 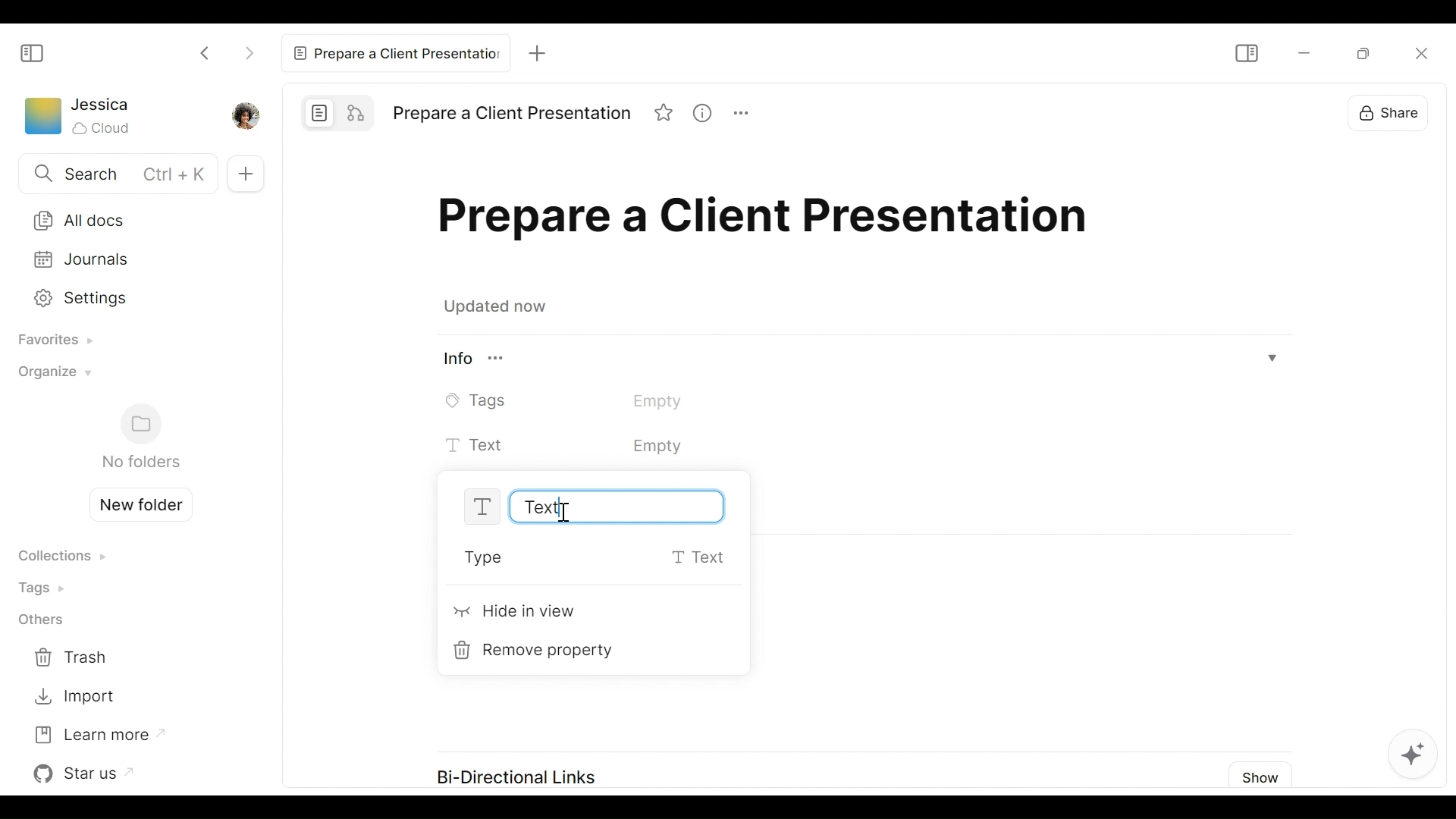 What do you see at coordinates (243, 173) in the screenshot?
I see `Add new` at bounding box center [243, 173].